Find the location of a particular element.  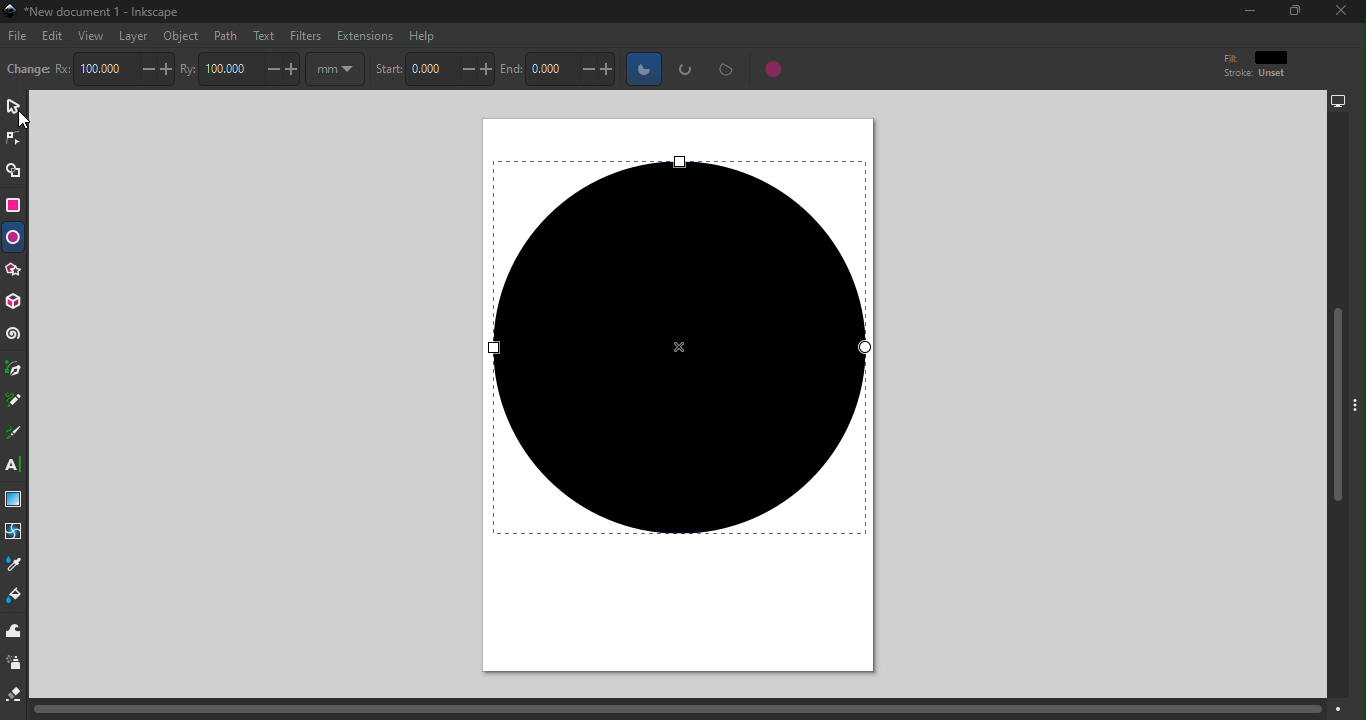

Pencil tool is located at coordinates (15, 403).